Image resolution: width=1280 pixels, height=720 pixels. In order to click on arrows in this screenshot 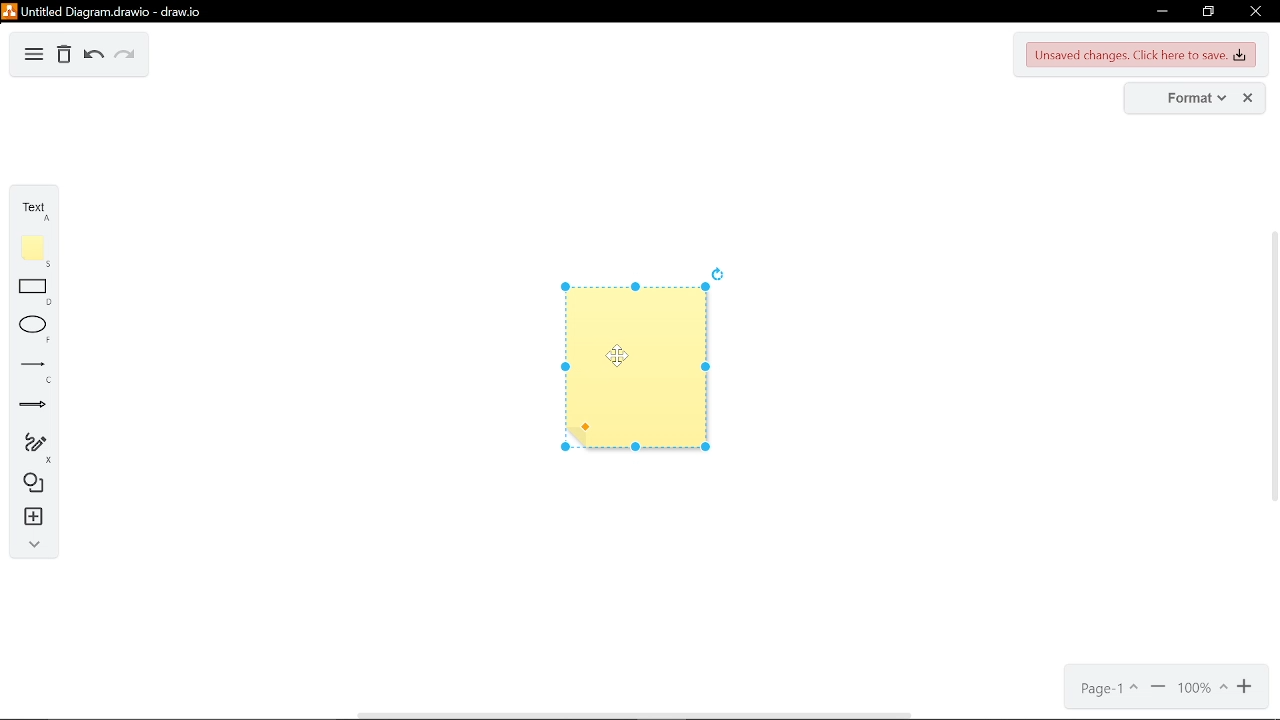, I will do `click(29, 405)`.